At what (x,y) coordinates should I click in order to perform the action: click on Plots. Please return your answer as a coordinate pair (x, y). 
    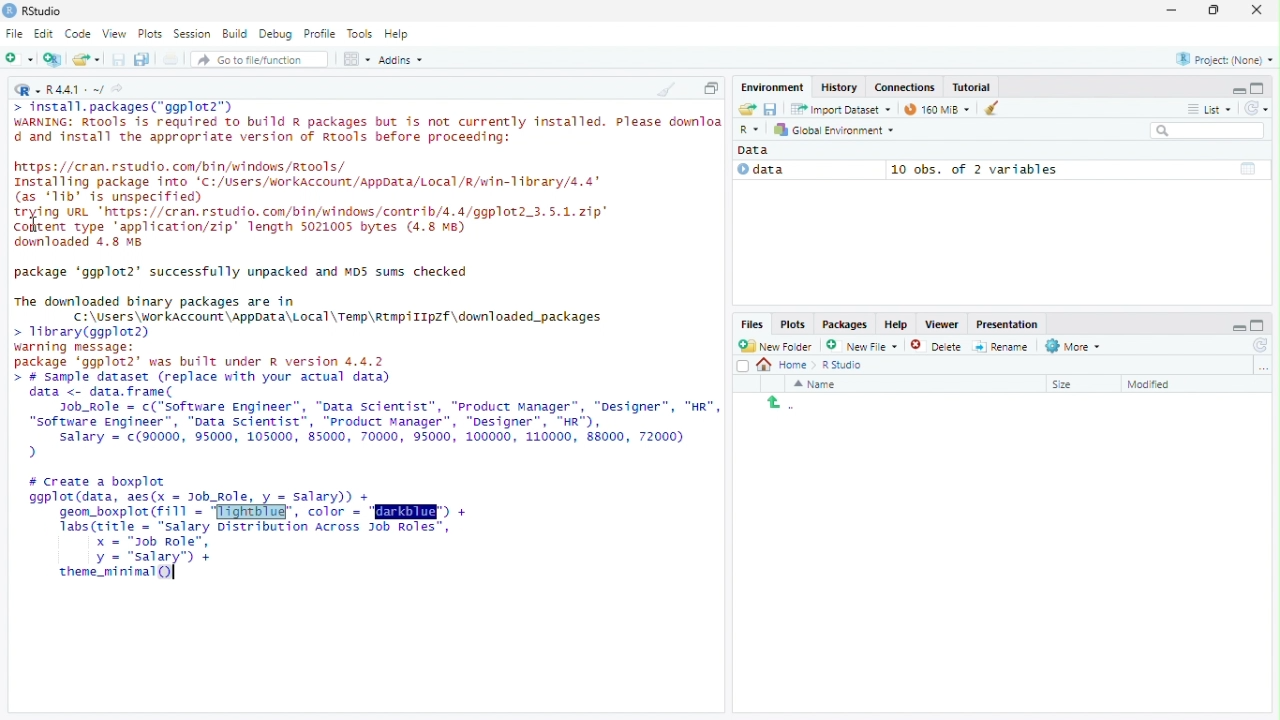
    Looking at the image, I should click on (792, 325).